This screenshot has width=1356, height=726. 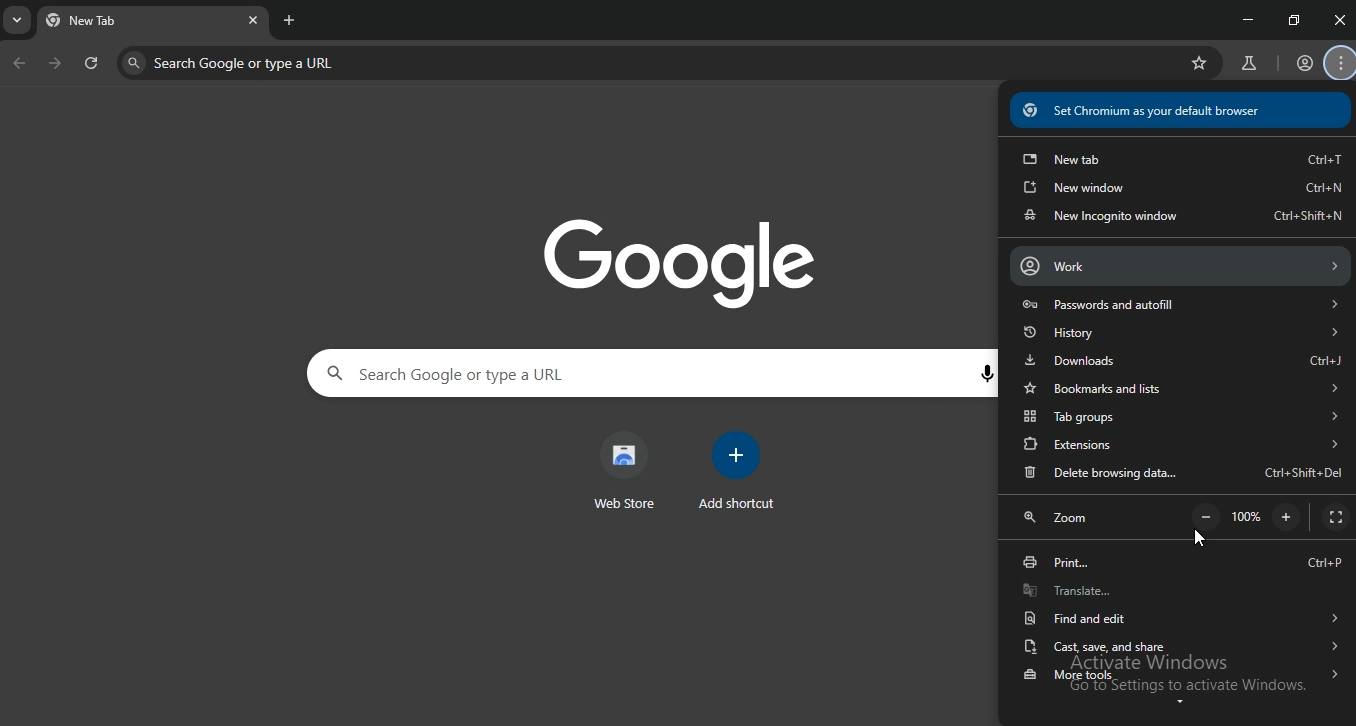 What do you see at coordinates (740, 471) in the screenshot?
I see `add shortcut` at bounding box center [740, 471].